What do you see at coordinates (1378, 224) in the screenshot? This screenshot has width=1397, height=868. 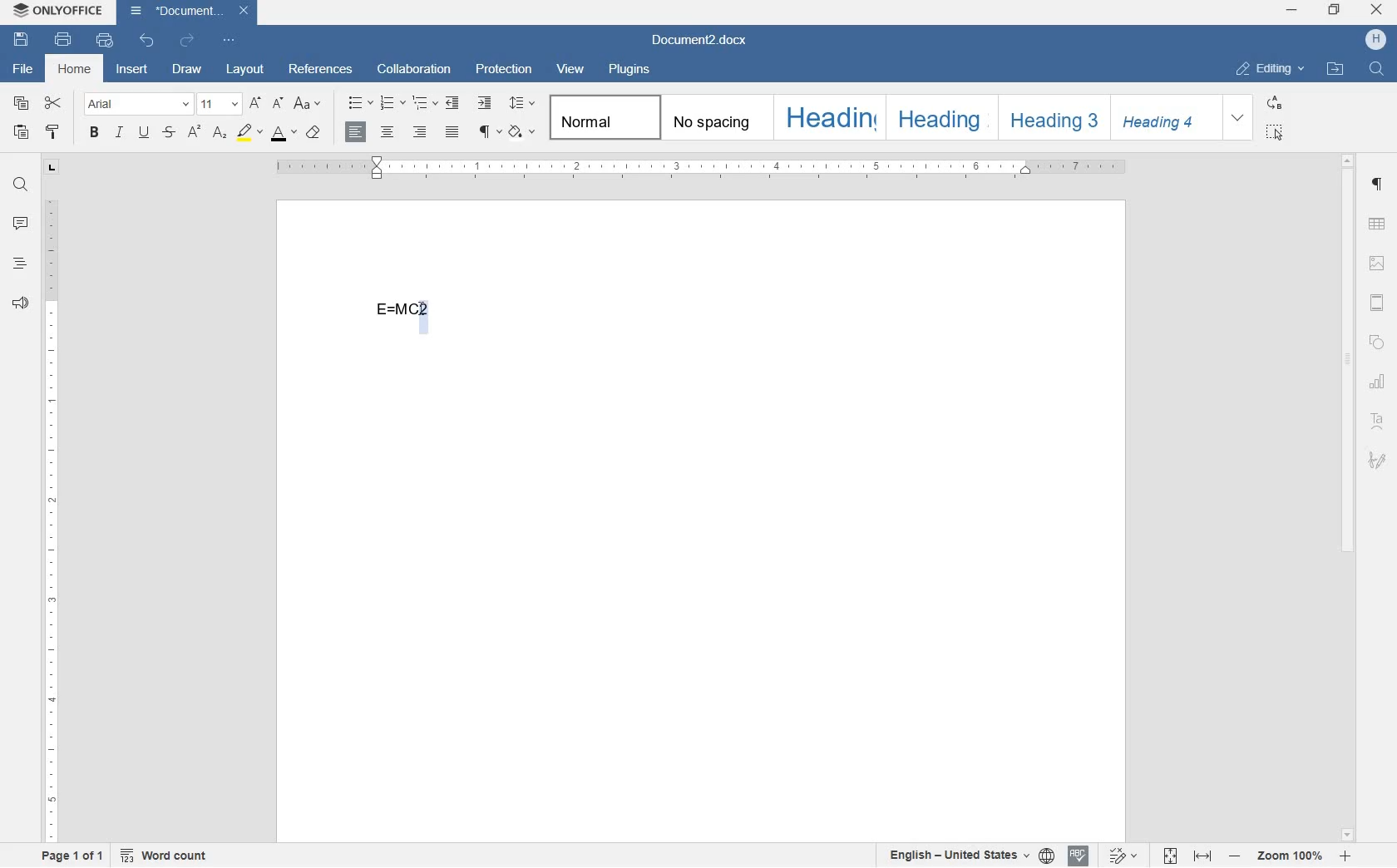 I see `table` at bounding box center [1378, 224].